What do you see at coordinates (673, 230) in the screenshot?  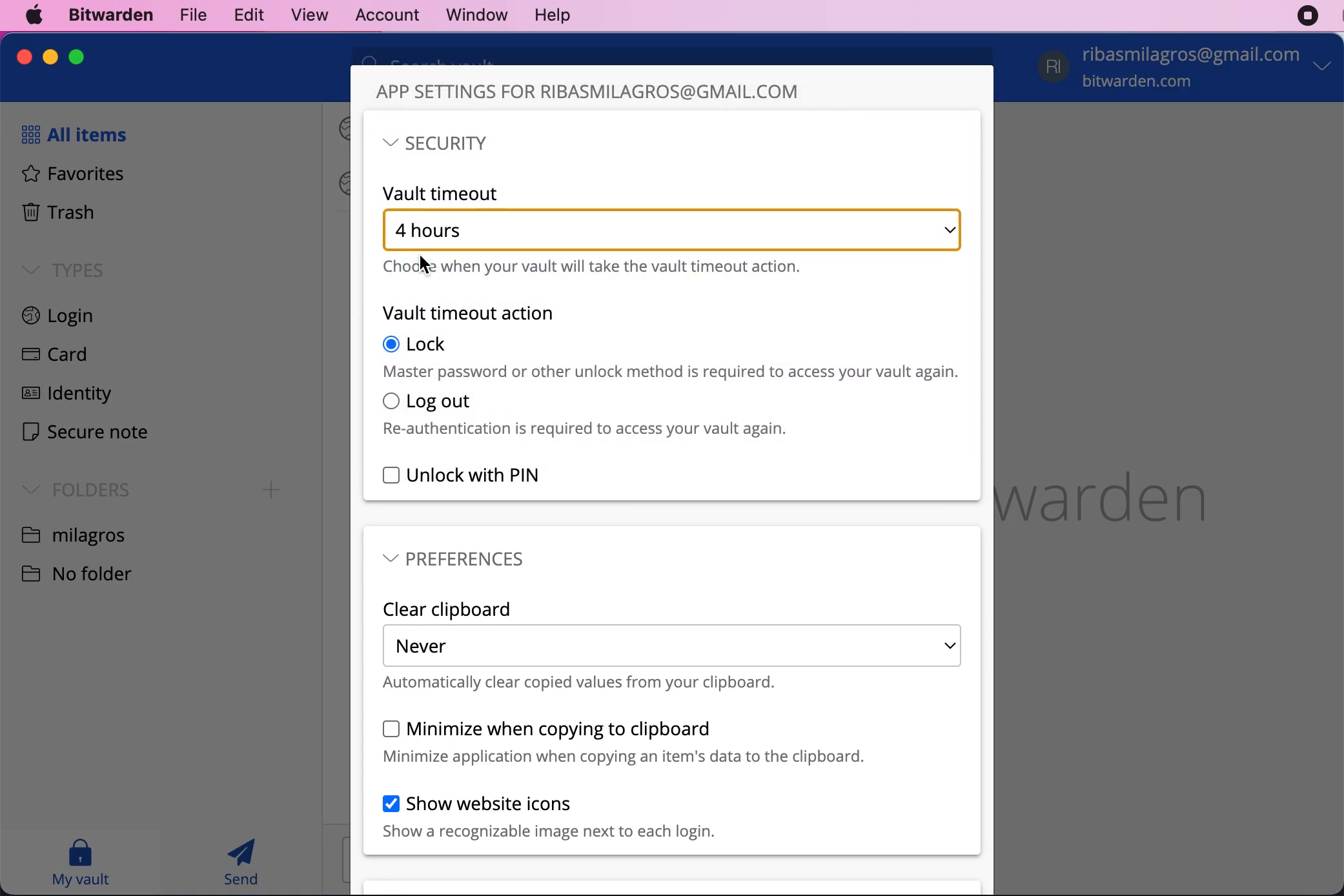 I see ` hour` at bounding box center [673, 230].